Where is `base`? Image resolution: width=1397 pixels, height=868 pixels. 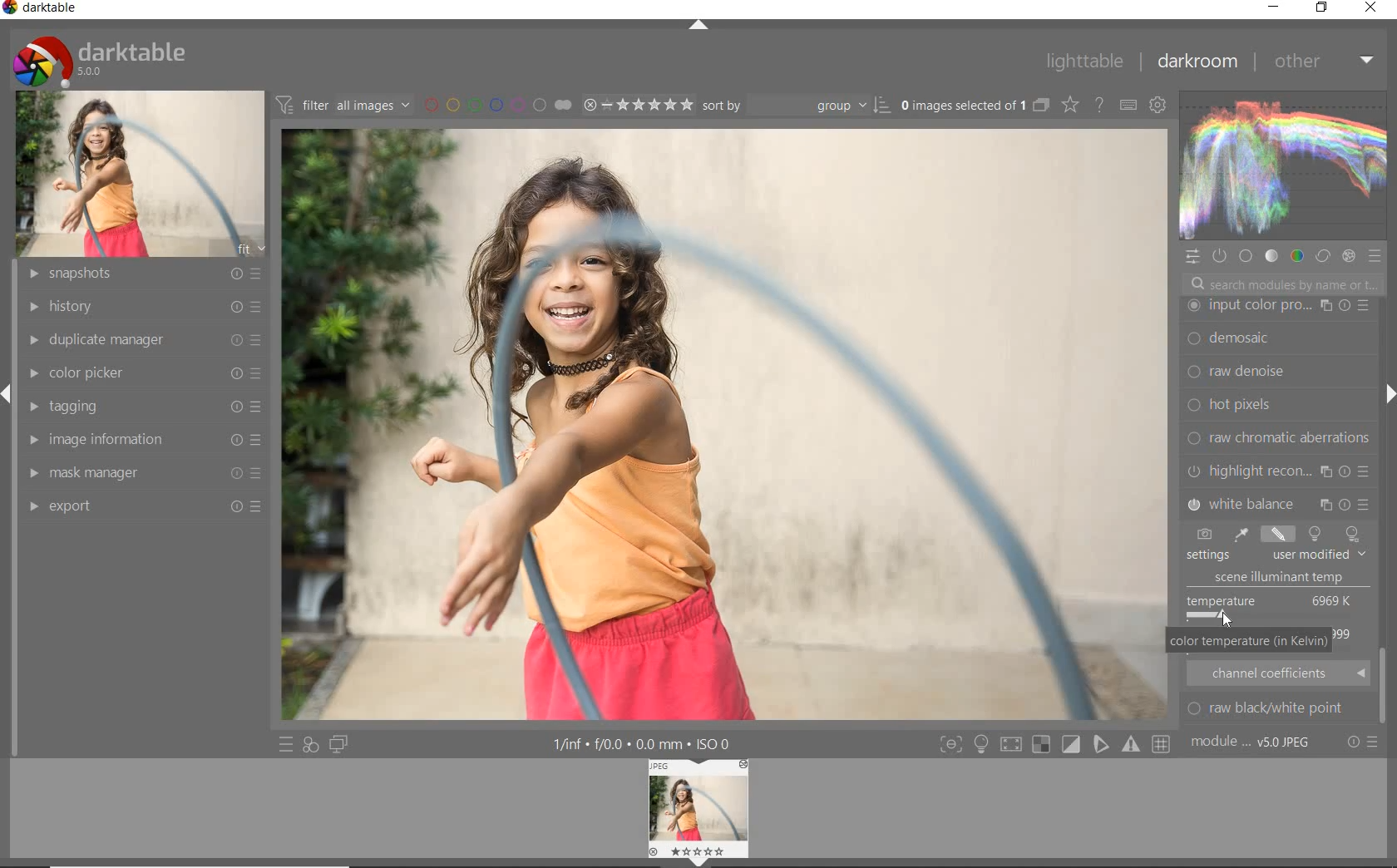 base is located at coordinates (1247, 258).